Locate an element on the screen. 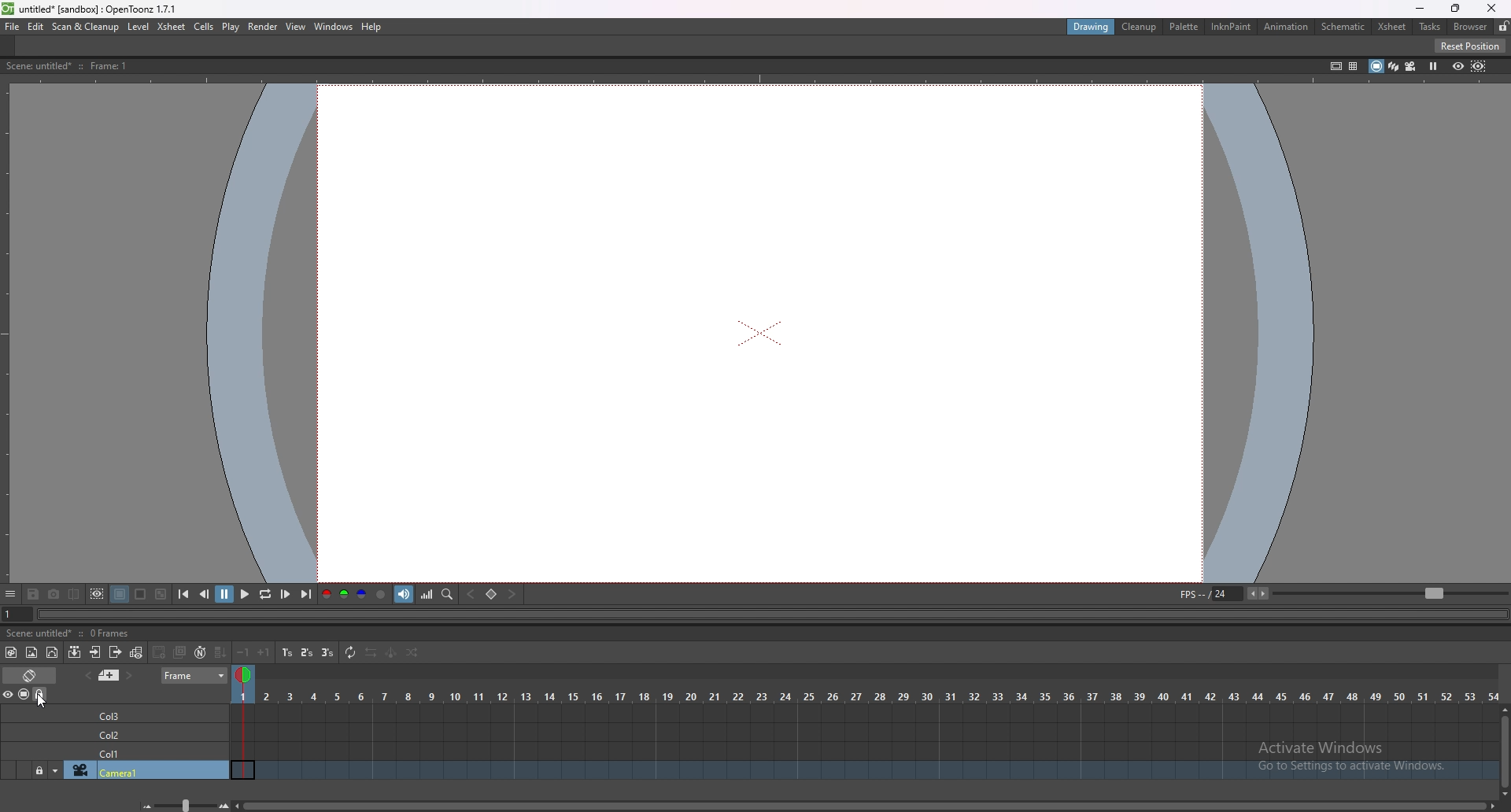 This screenshot has width=1511, height=812. histogram is located at coordinates (428, 594).